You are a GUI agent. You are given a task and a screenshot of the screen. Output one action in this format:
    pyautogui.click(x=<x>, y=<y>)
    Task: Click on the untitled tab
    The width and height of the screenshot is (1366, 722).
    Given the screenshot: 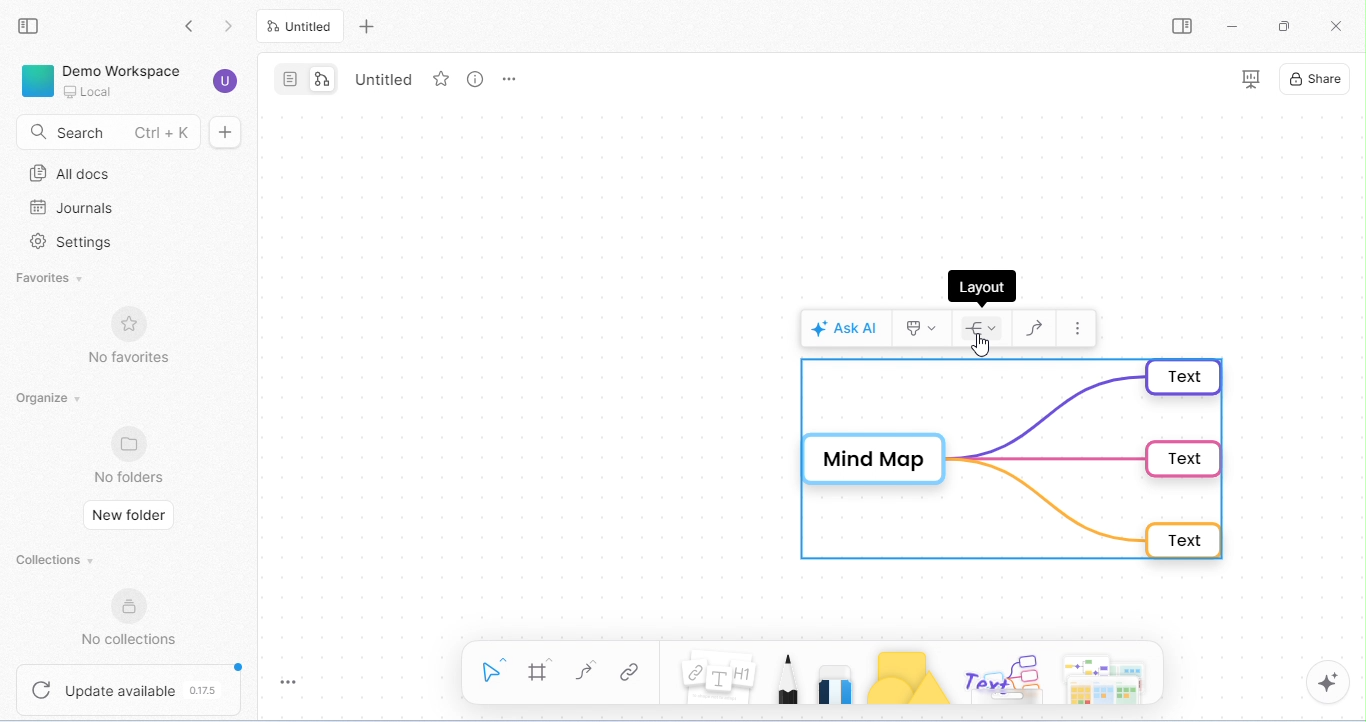 What is the action you would take?
    pyautogui.click(x=303, y=26)
    